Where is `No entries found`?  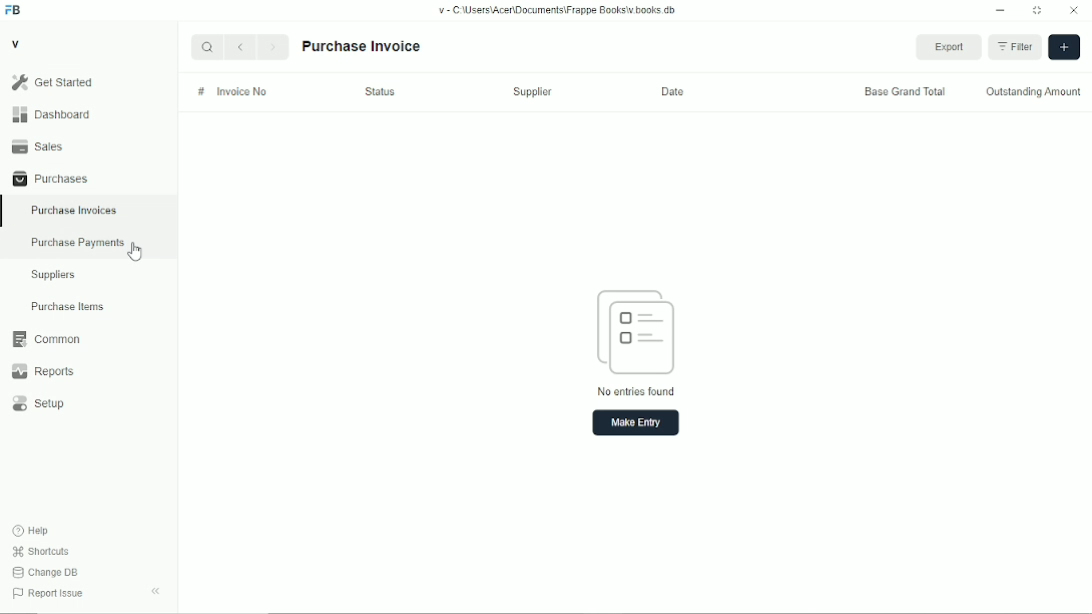
No entries found is located at coordinates (636, 391).